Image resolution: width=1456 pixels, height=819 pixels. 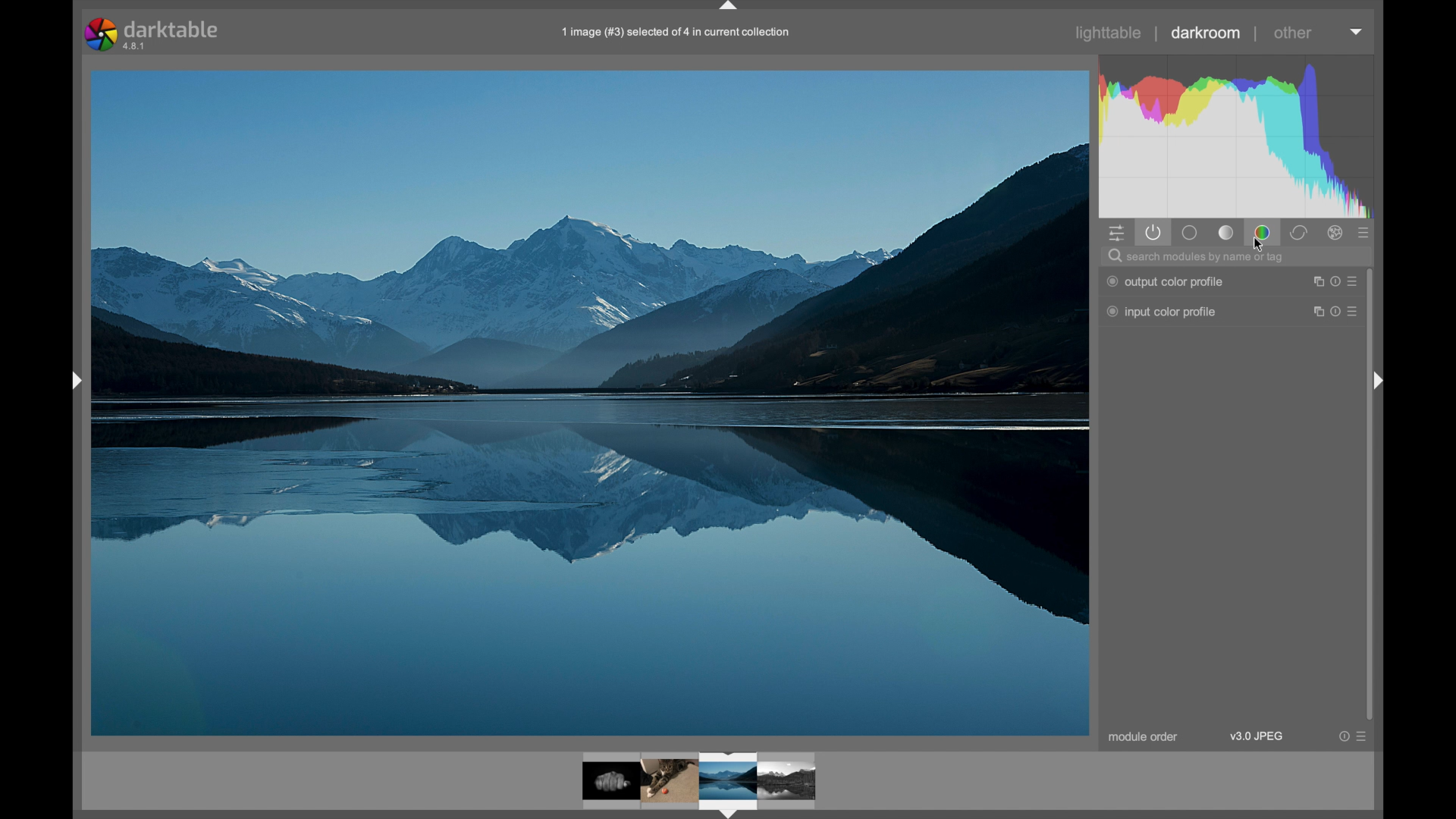 What do you see at coordinates (1191, 234) in the screenshot?
I see `base` at bounding box center [1191, 234].